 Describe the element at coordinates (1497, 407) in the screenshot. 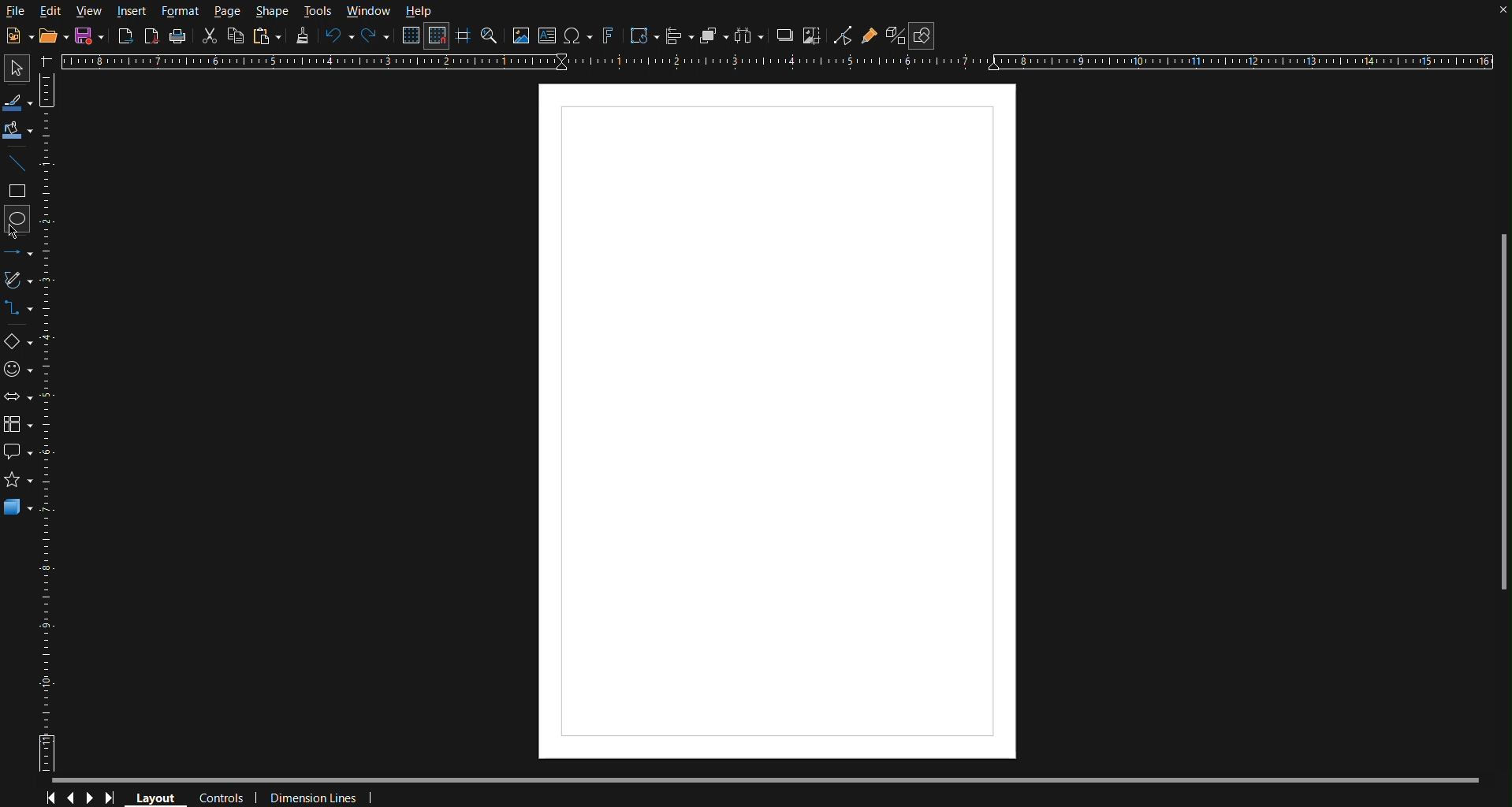

I see `Scrollbar` at that location.